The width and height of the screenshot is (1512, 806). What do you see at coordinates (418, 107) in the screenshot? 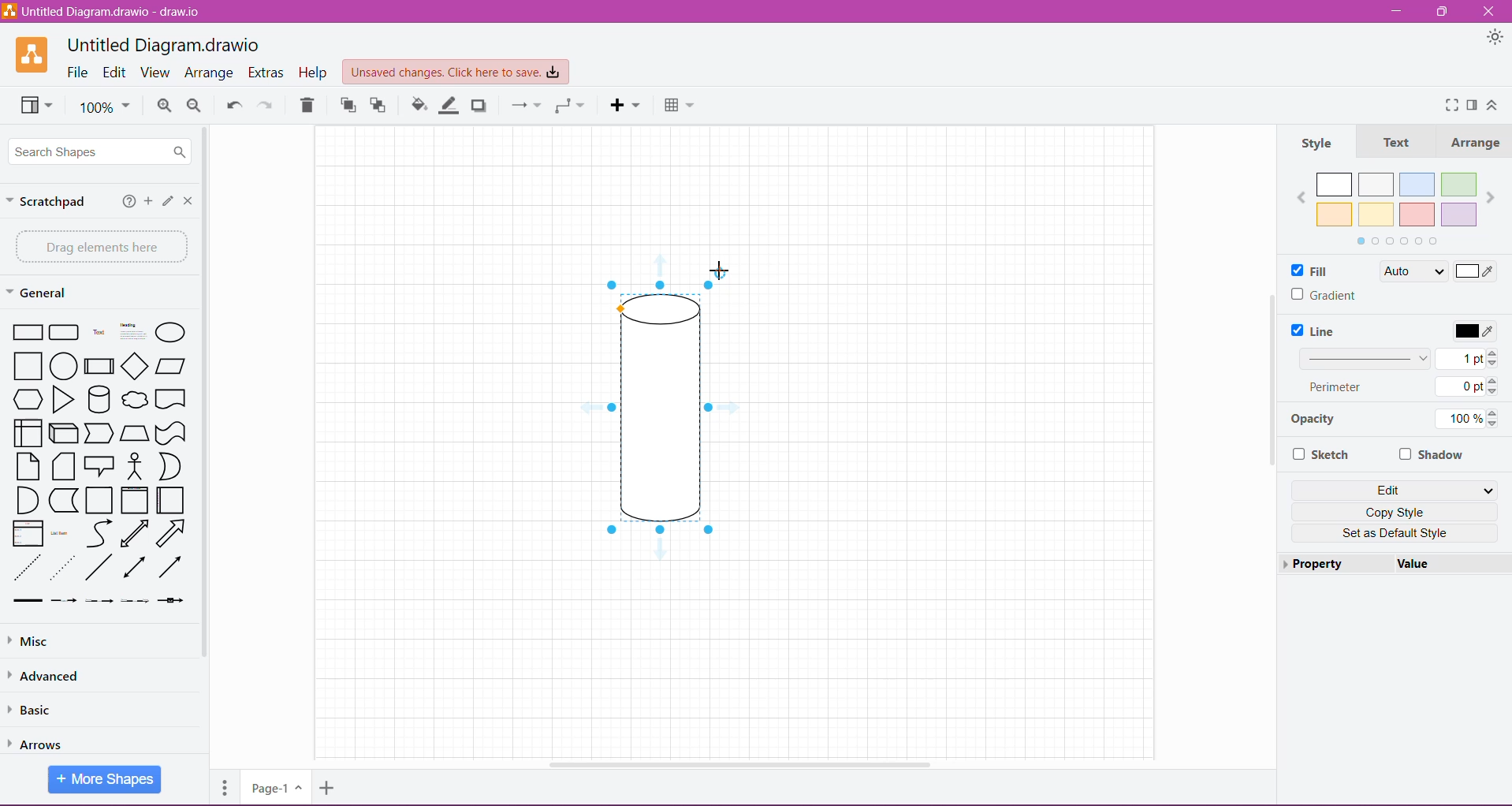
I see `Fill Color` at bounding box center [418, 107].